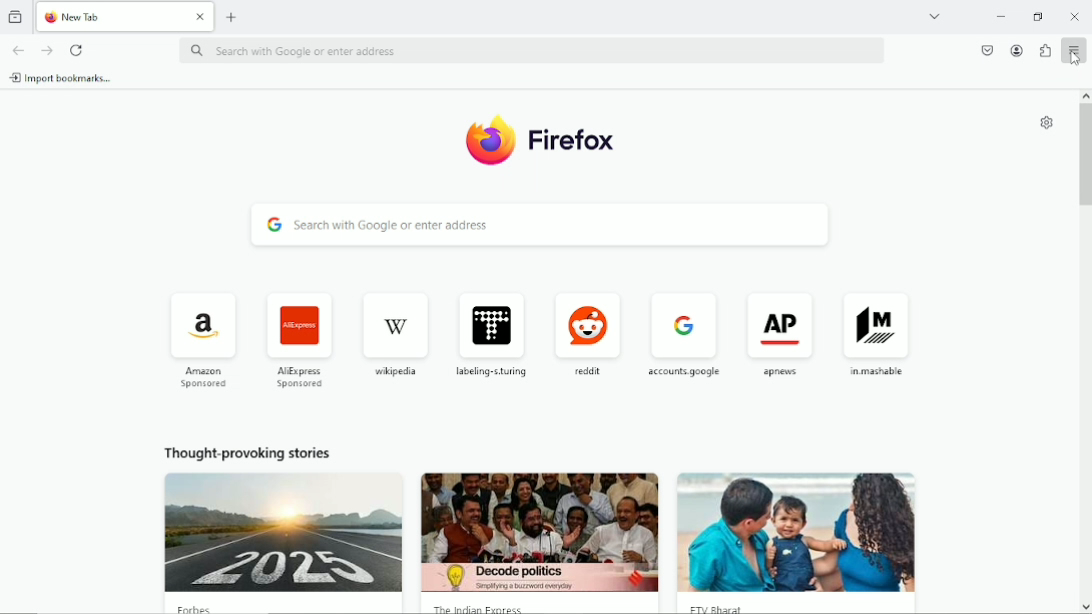 The width and height of the screenshot is (1092, 614). What do you see at coordinates (1074, 52) in the screenshot?
I see `open application menu` at bounding box center [1074, 52].